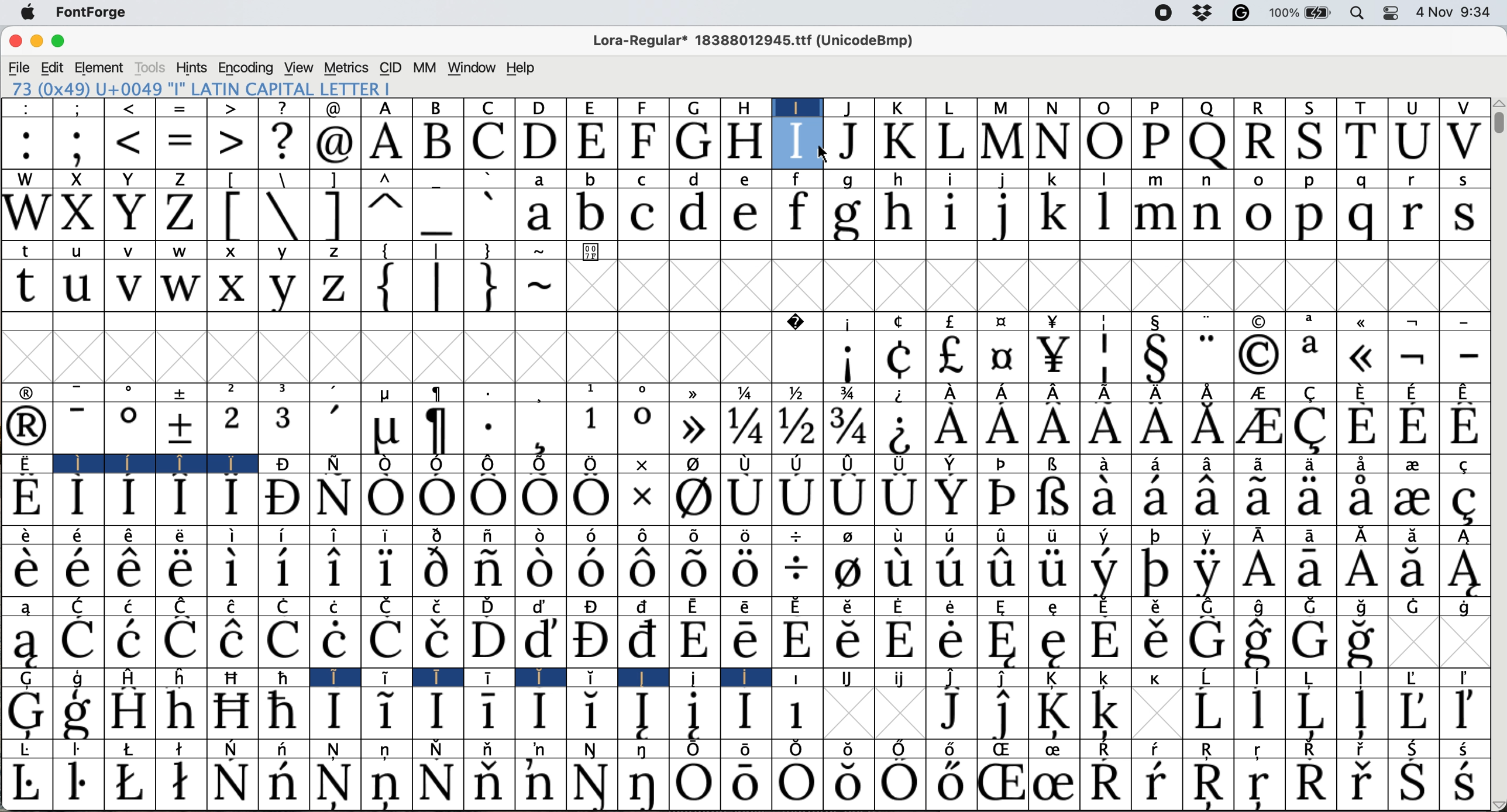 The image size is (1507, 812). What do you see at coordinates (1054, 143) in the screenshot?
I see `N` at bounding box center [1054, 143].